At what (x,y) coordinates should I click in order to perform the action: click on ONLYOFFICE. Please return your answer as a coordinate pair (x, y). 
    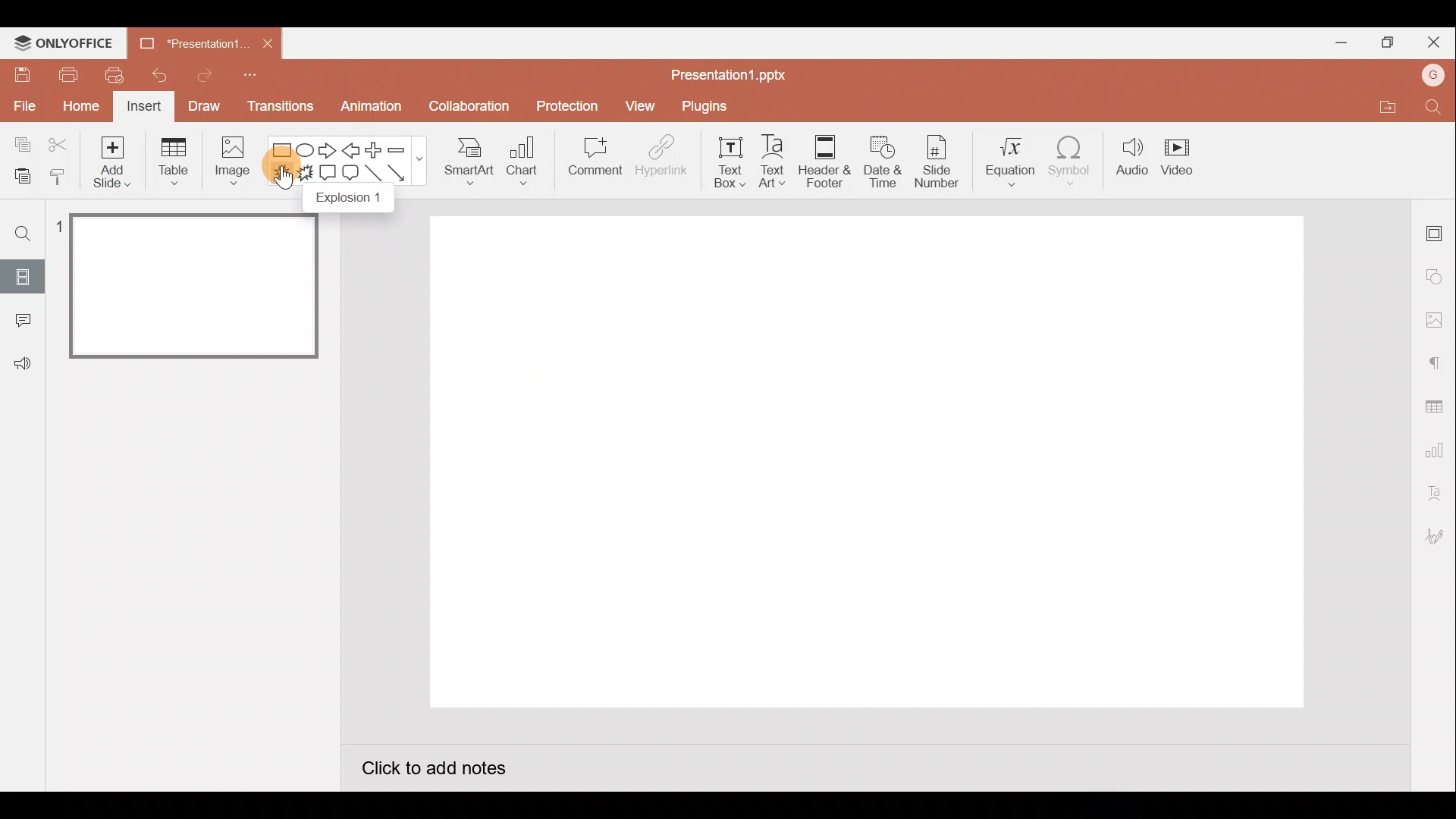
    Looking at the image, I should click on (64, 42).